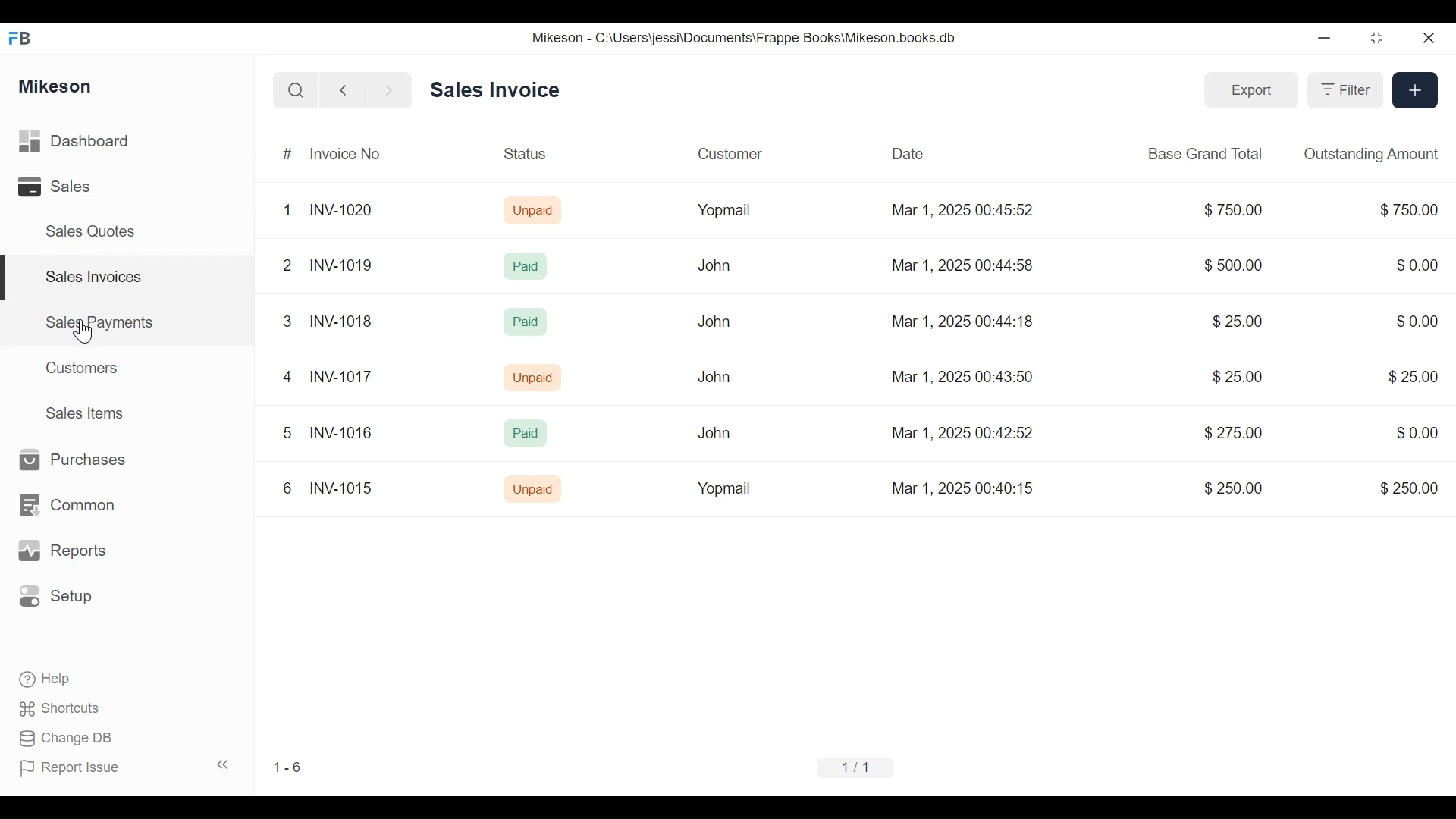 This screenshot has height=819, width=1456. I want to click on John, so click(711, 322).